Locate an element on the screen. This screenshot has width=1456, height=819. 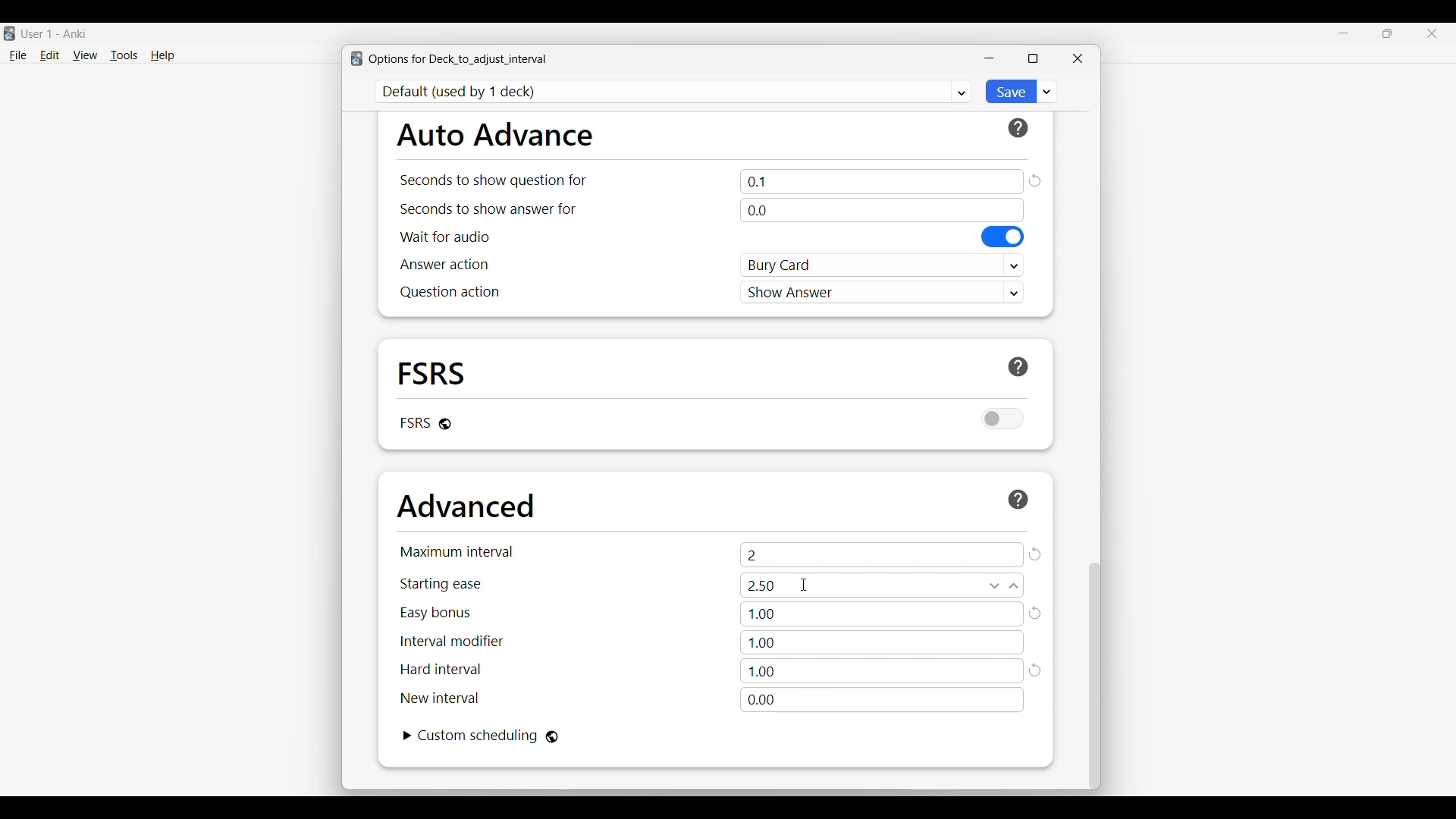
Edit menu is located at coordinates (50, 56).